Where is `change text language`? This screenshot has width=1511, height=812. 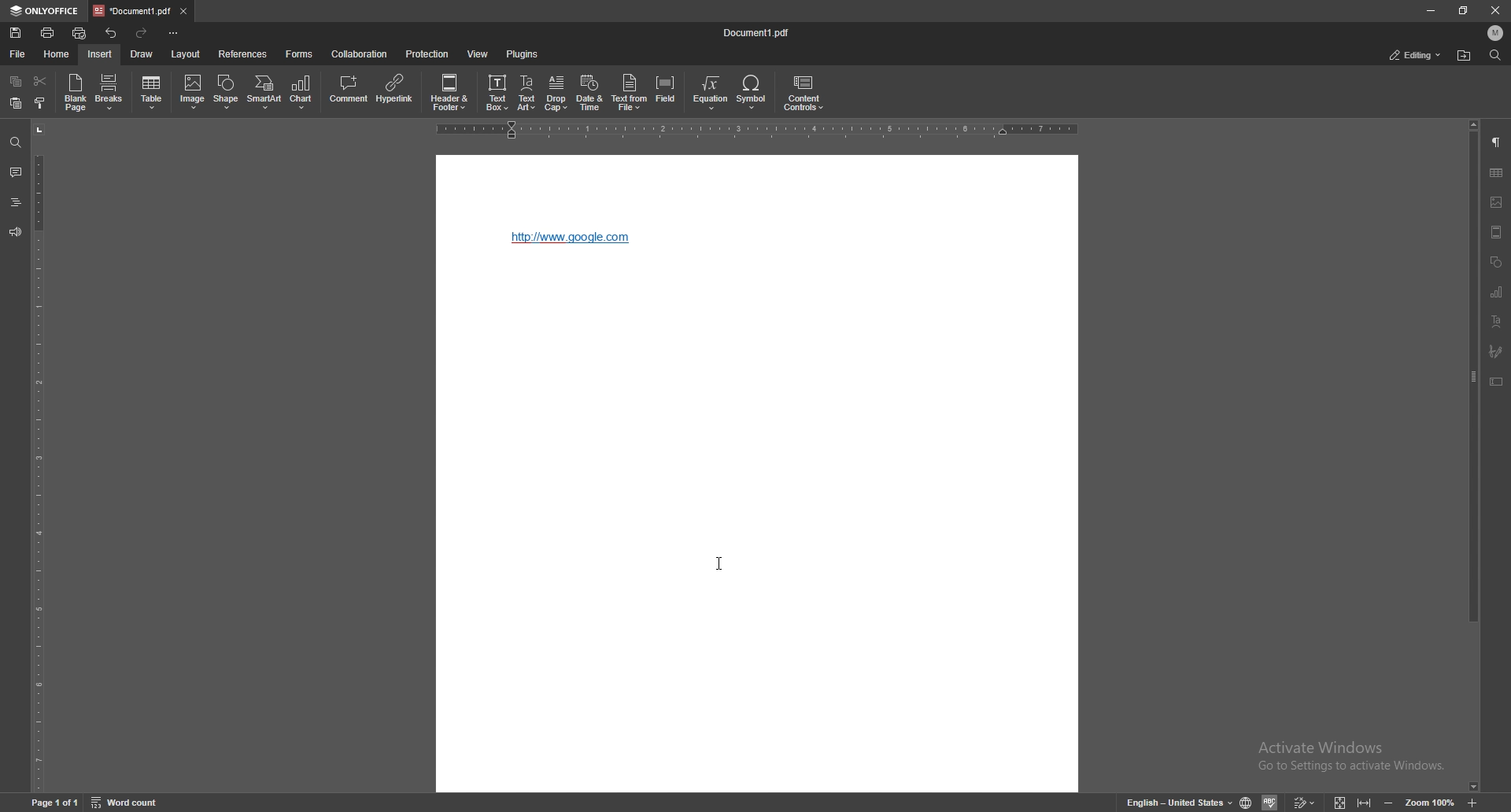 change text language is located at coordinates (1180, 802).